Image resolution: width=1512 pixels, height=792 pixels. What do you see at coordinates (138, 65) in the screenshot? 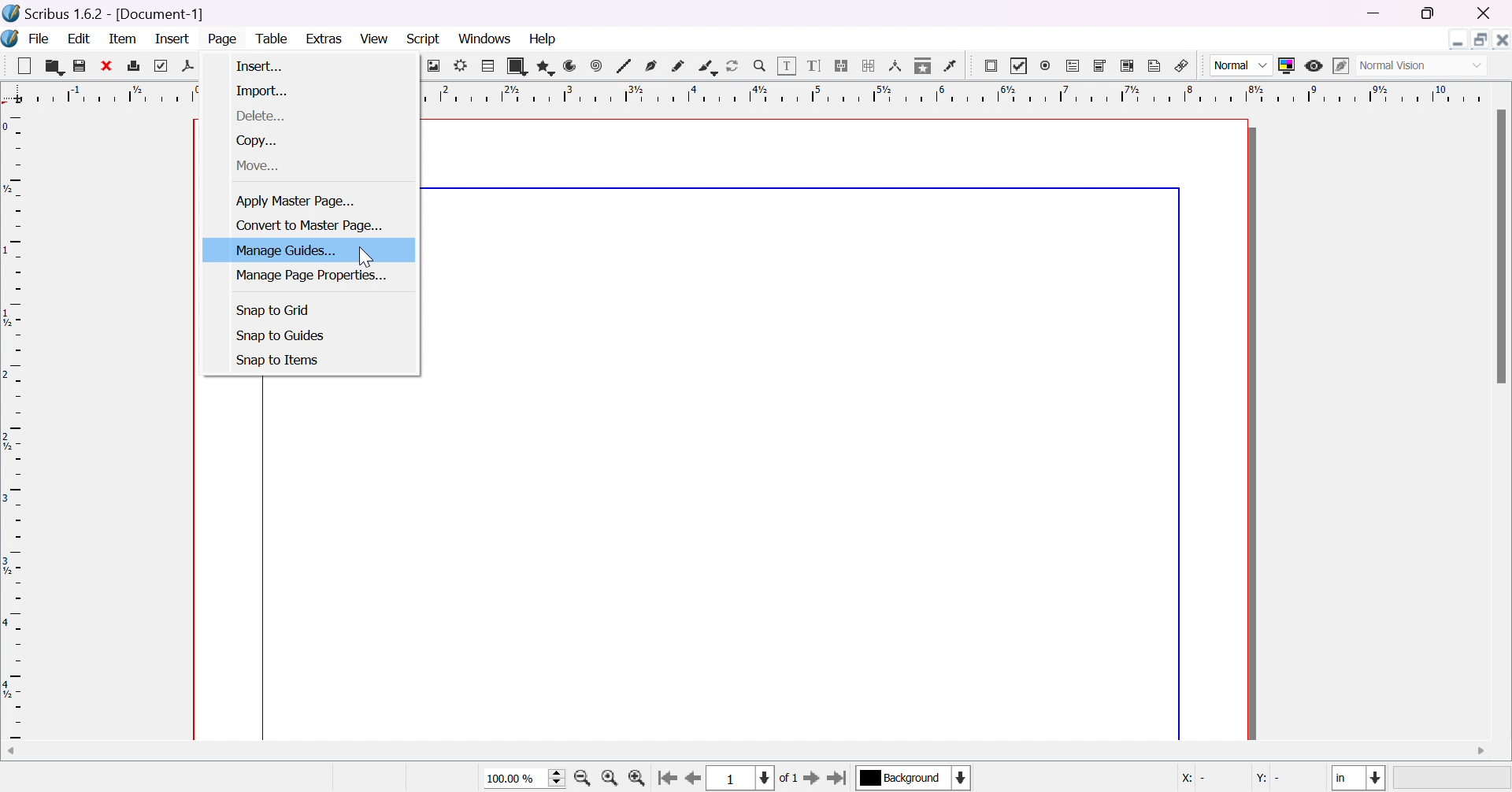
I see `print` at bounding box center [138, 65].